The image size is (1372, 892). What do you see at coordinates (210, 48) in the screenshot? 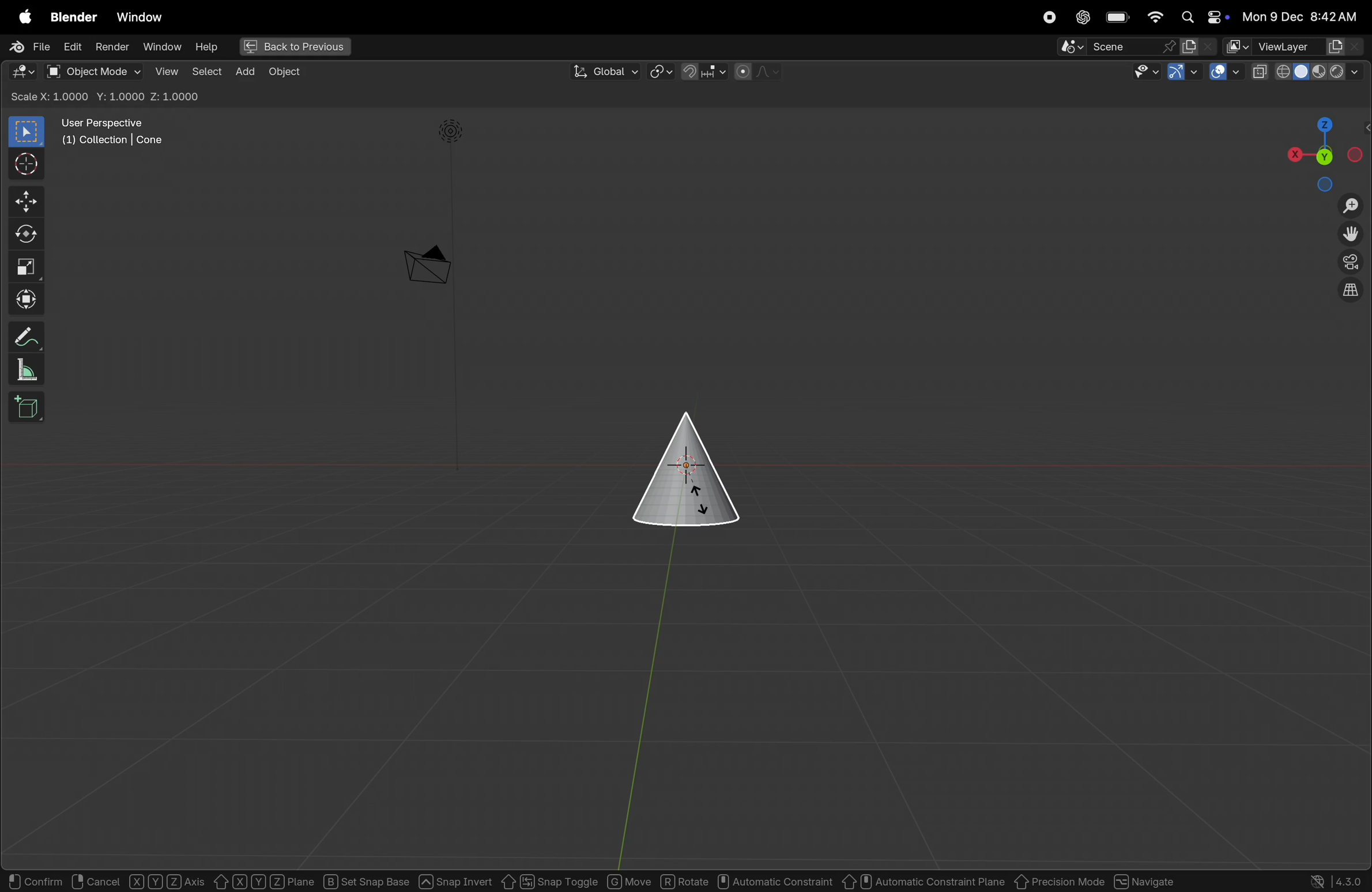
I see `help` at bounding box center [210, 48].